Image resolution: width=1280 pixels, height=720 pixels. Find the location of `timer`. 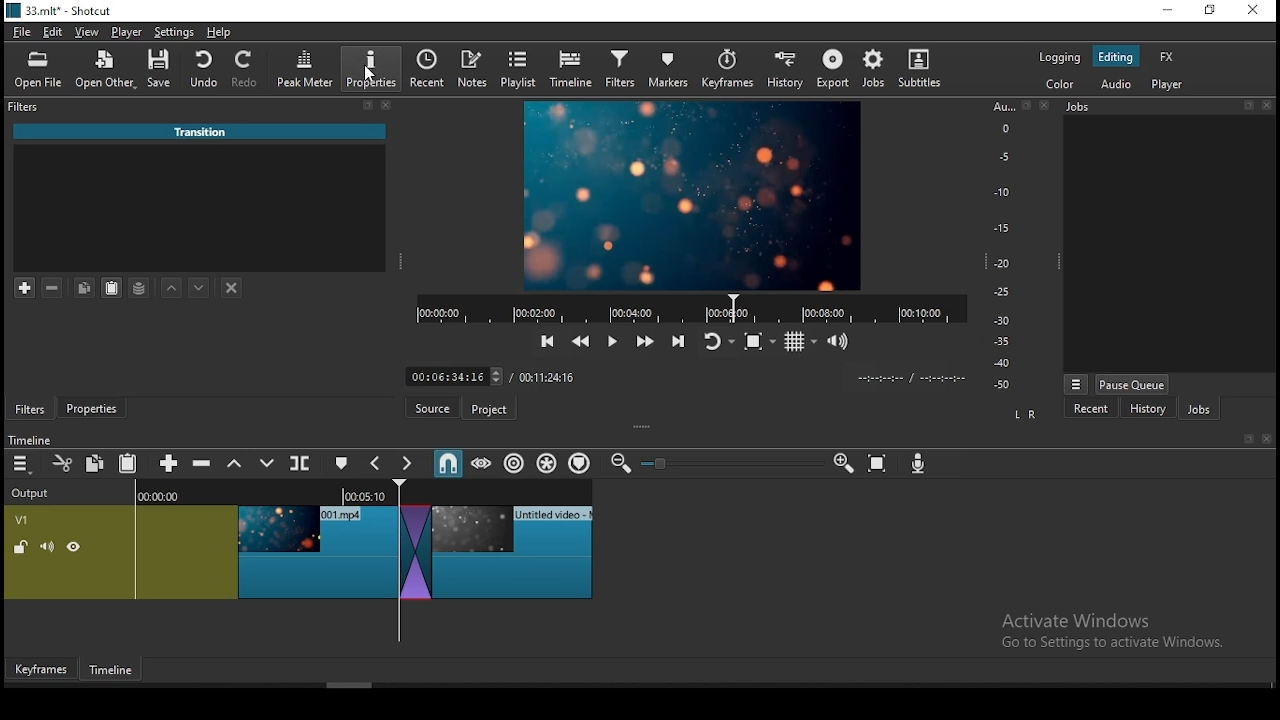

timer is located at coordinates (686, 308).